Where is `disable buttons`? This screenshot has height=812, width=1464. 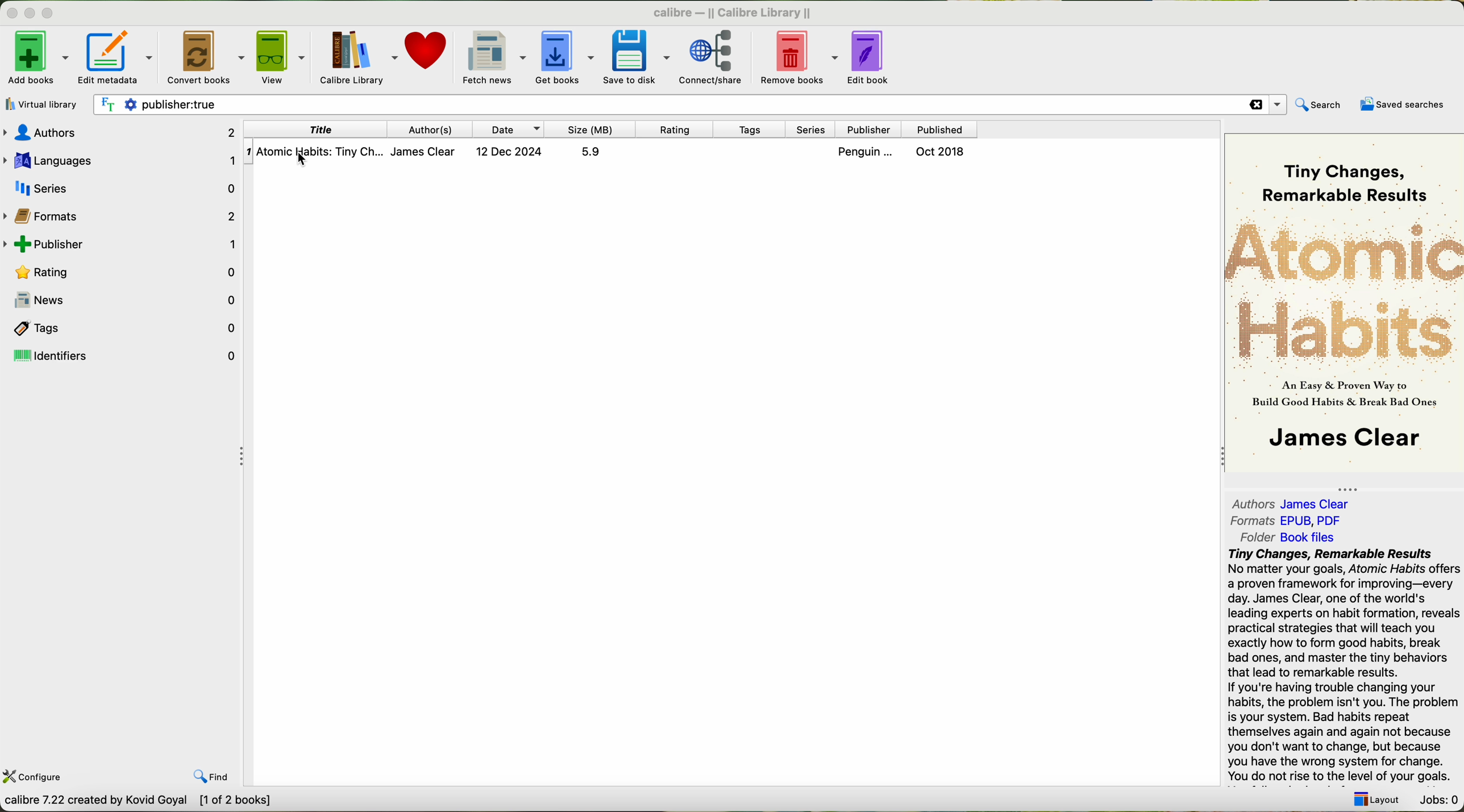 disable buttons is located at coordinates (28, 11).